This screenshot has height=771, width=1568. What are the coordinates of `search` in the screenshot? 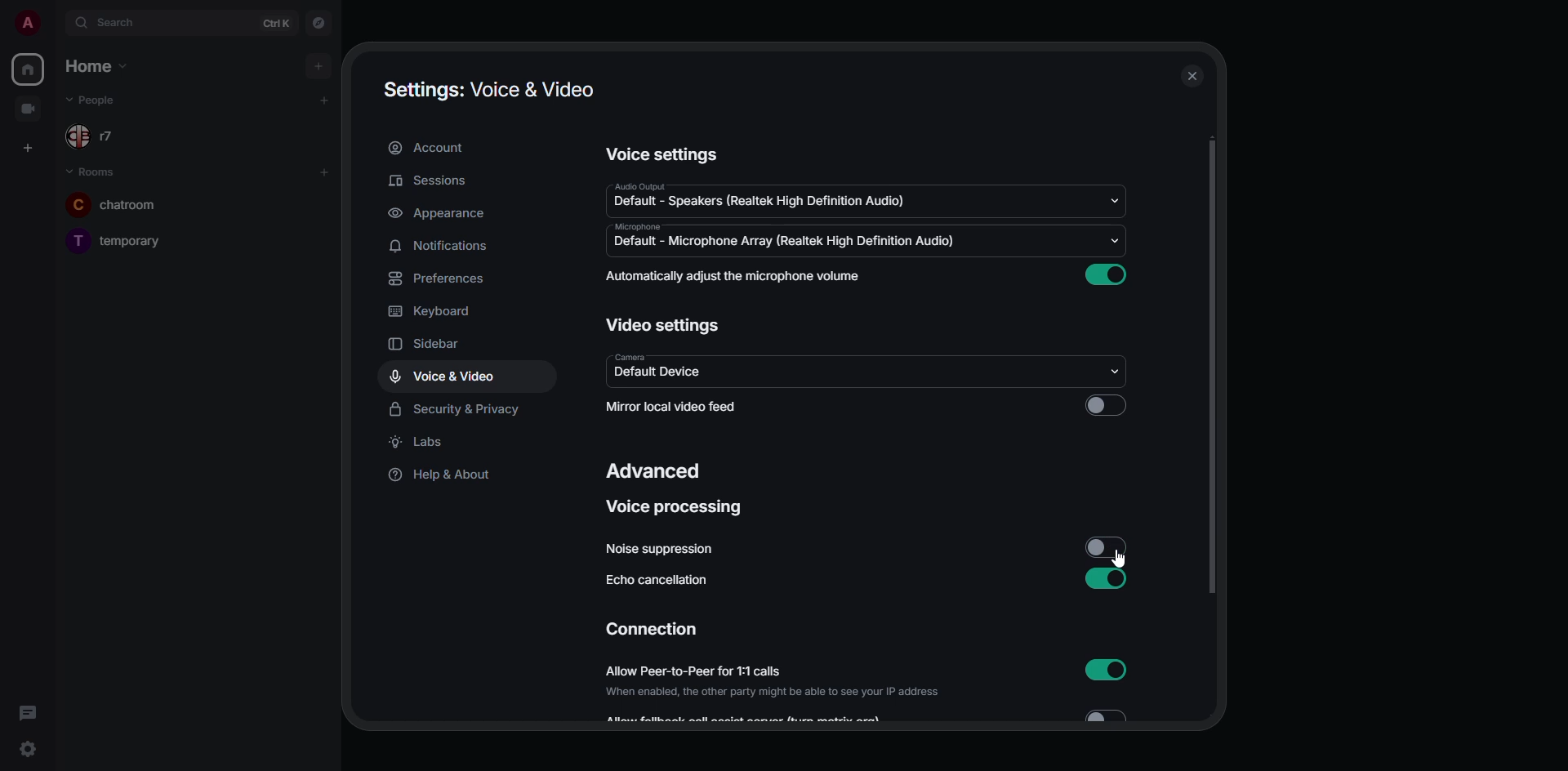 It's located at (125, 23).